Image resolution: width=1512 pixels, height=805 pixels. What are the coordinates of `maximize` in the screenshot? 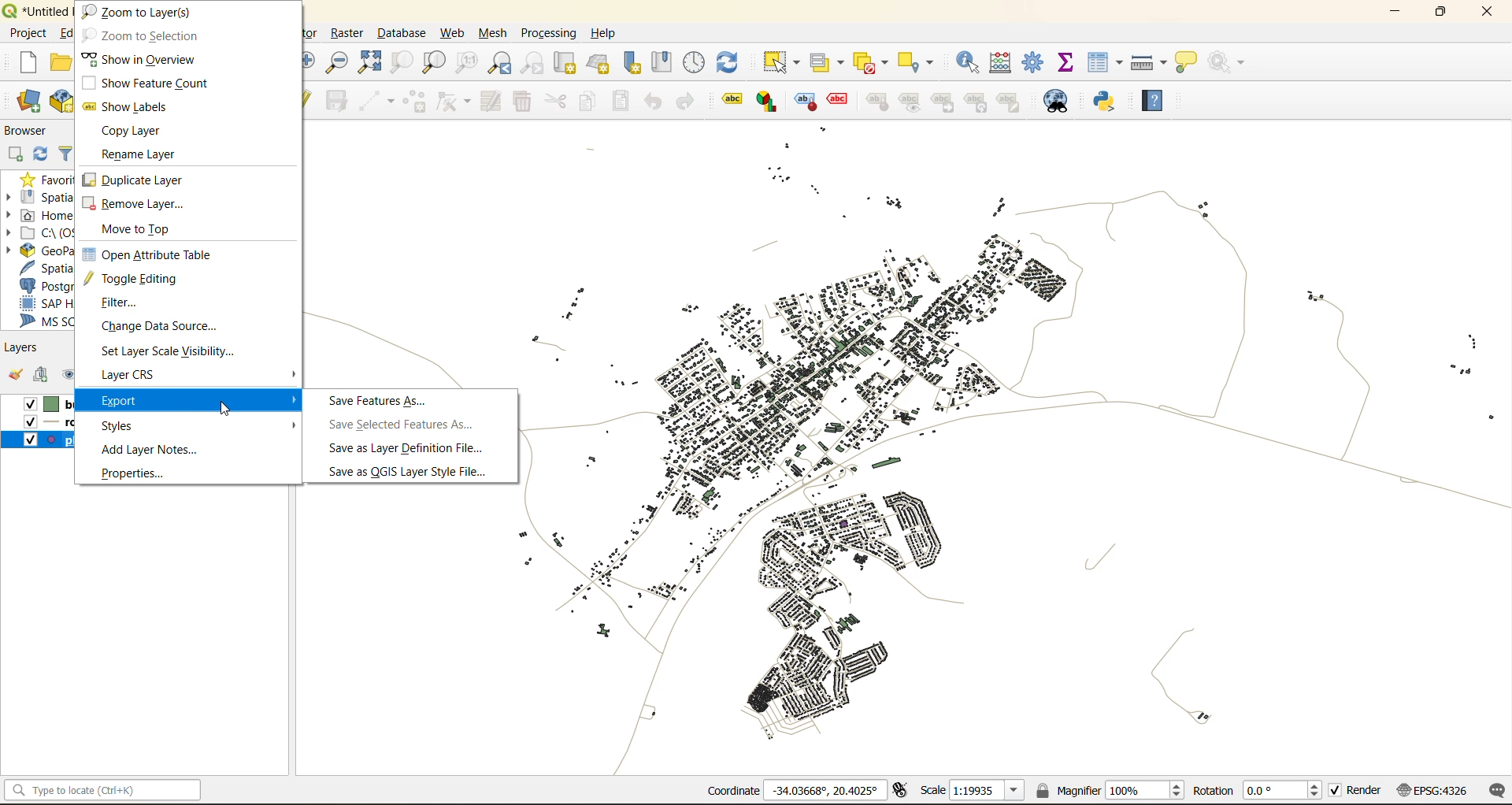 It's located at (1440, 13).